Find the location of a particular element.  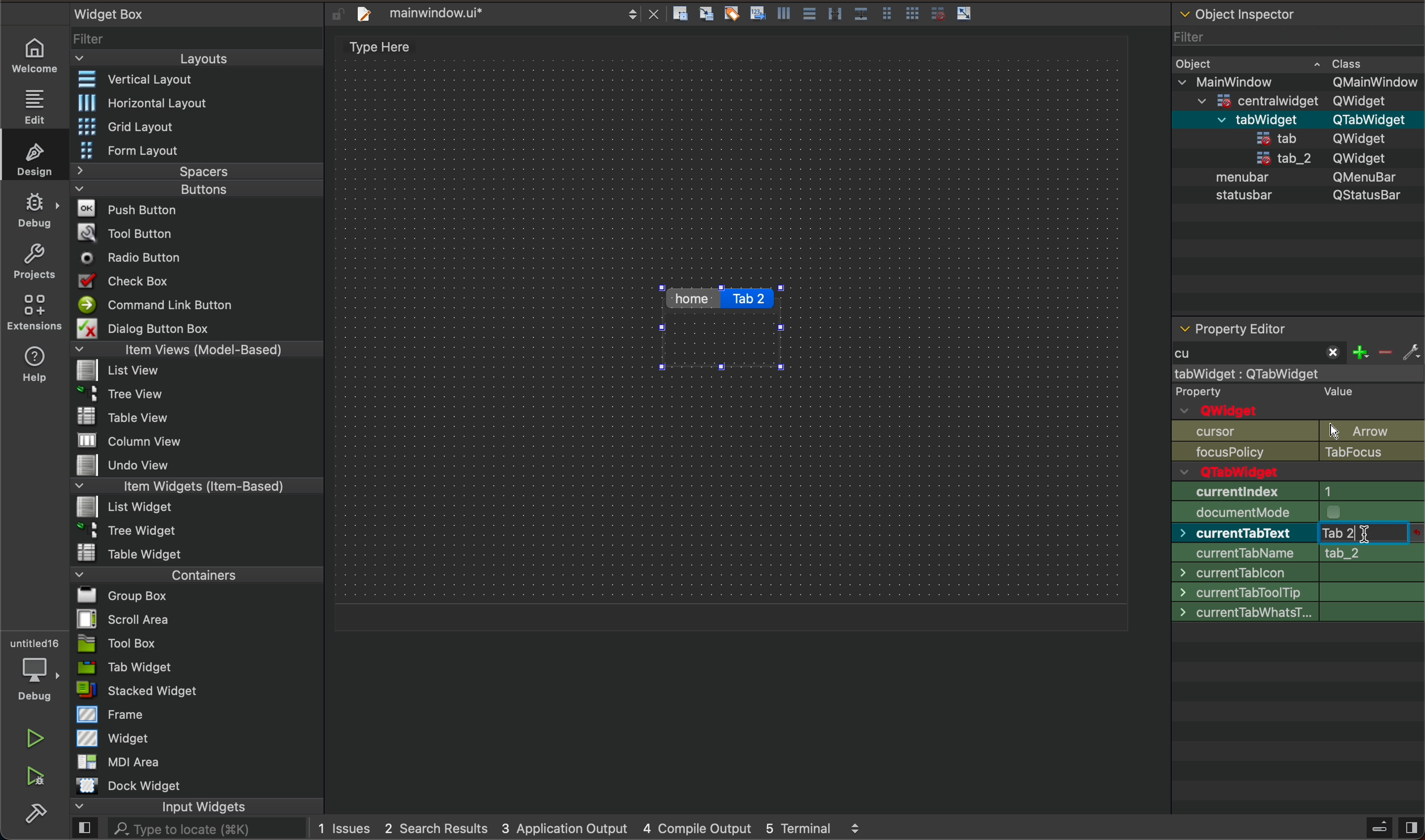

Containers is located at coordinates (194, 573).